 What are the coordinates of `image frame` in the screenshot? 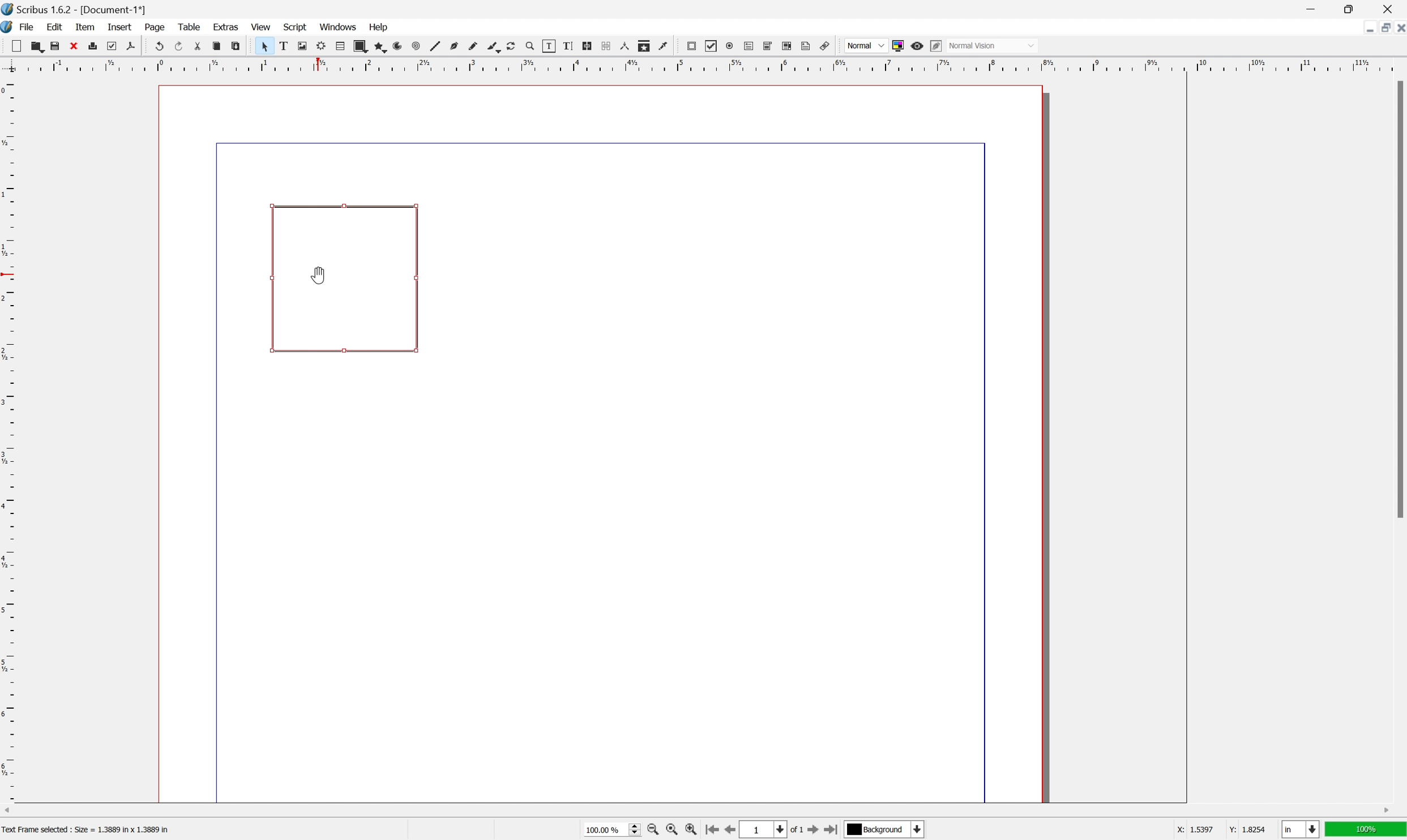 It's located at (301, 46).